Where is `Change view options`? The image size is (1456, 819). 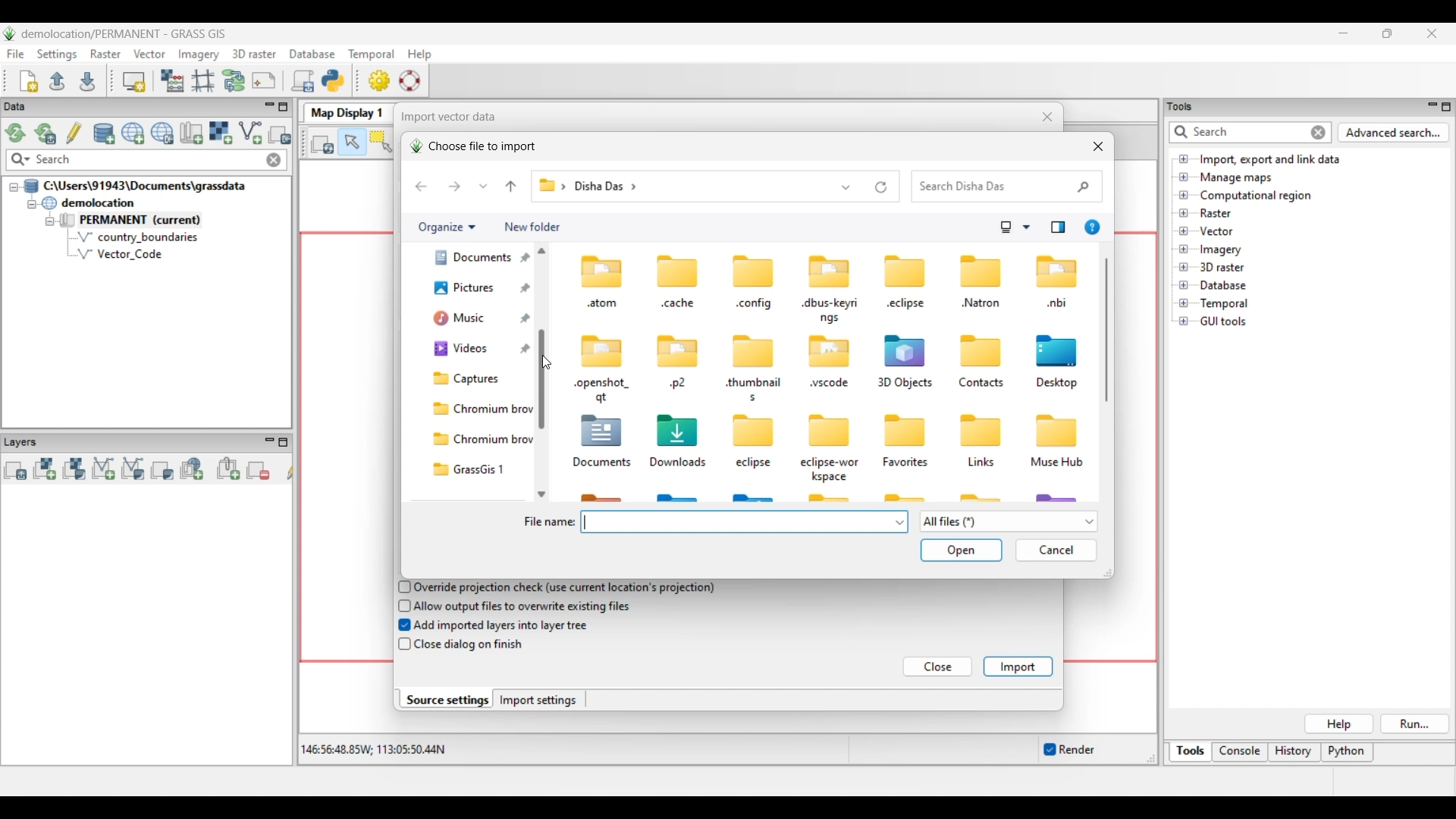
Change view options is located at coordinates (1026, 227).